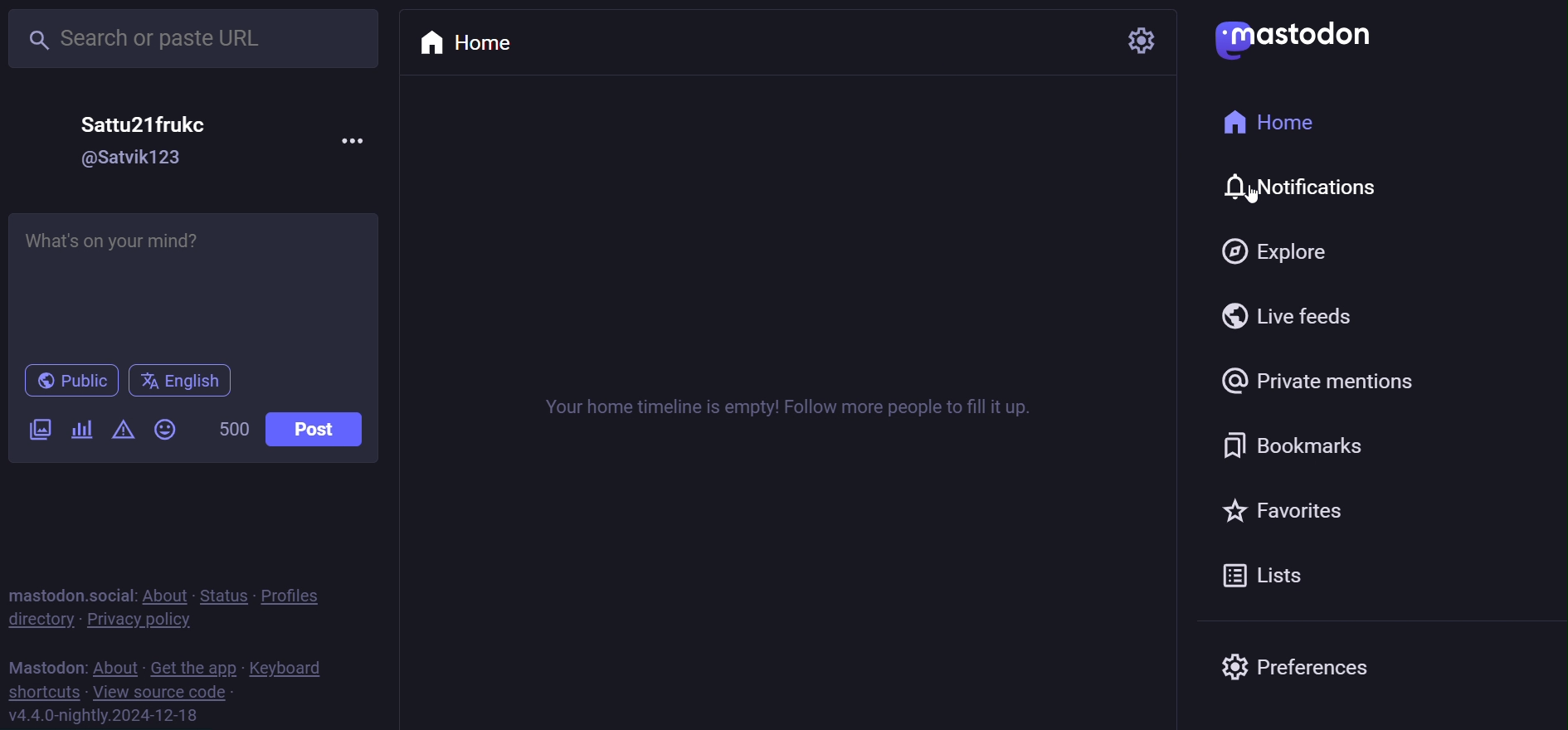  What do you see at coordinates (105, 714) in the screenshot?
I see `version` at bounding box center [105, 714].